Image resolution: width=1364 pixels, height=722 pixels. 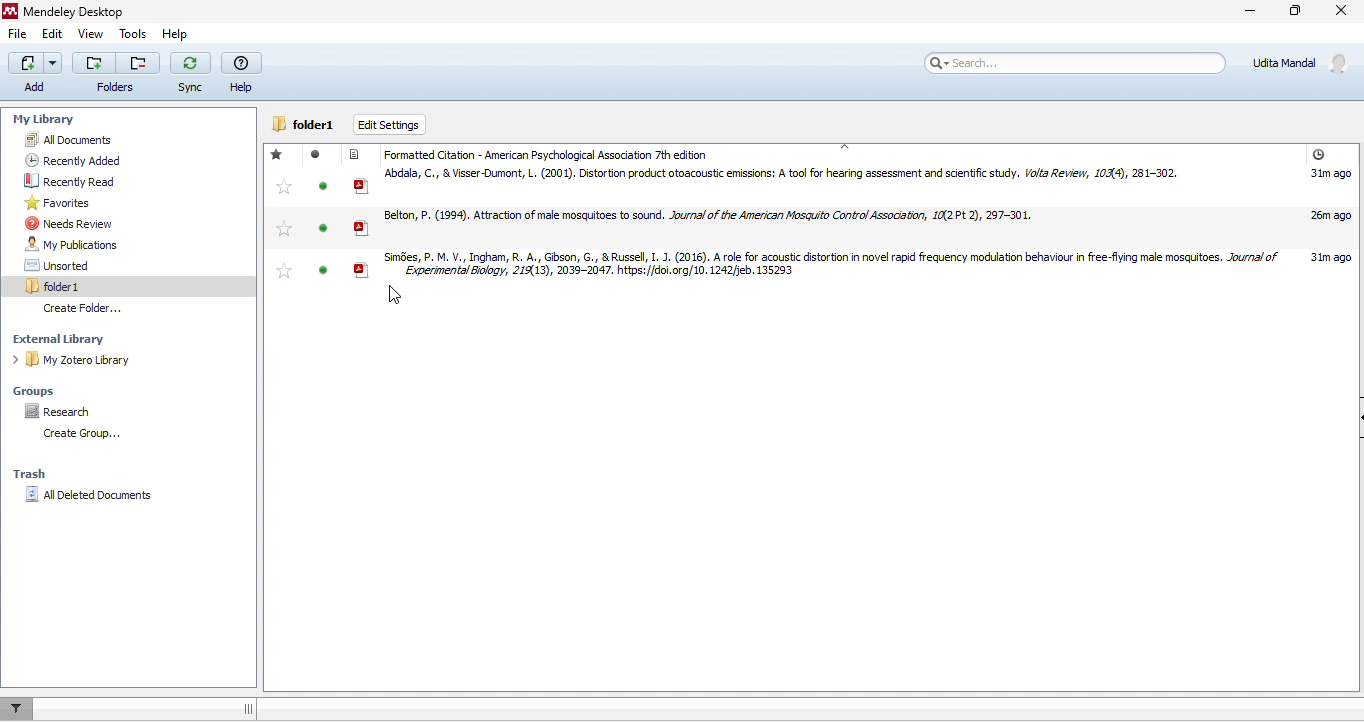 I want to click on recently read, so click(x=66, y=180).